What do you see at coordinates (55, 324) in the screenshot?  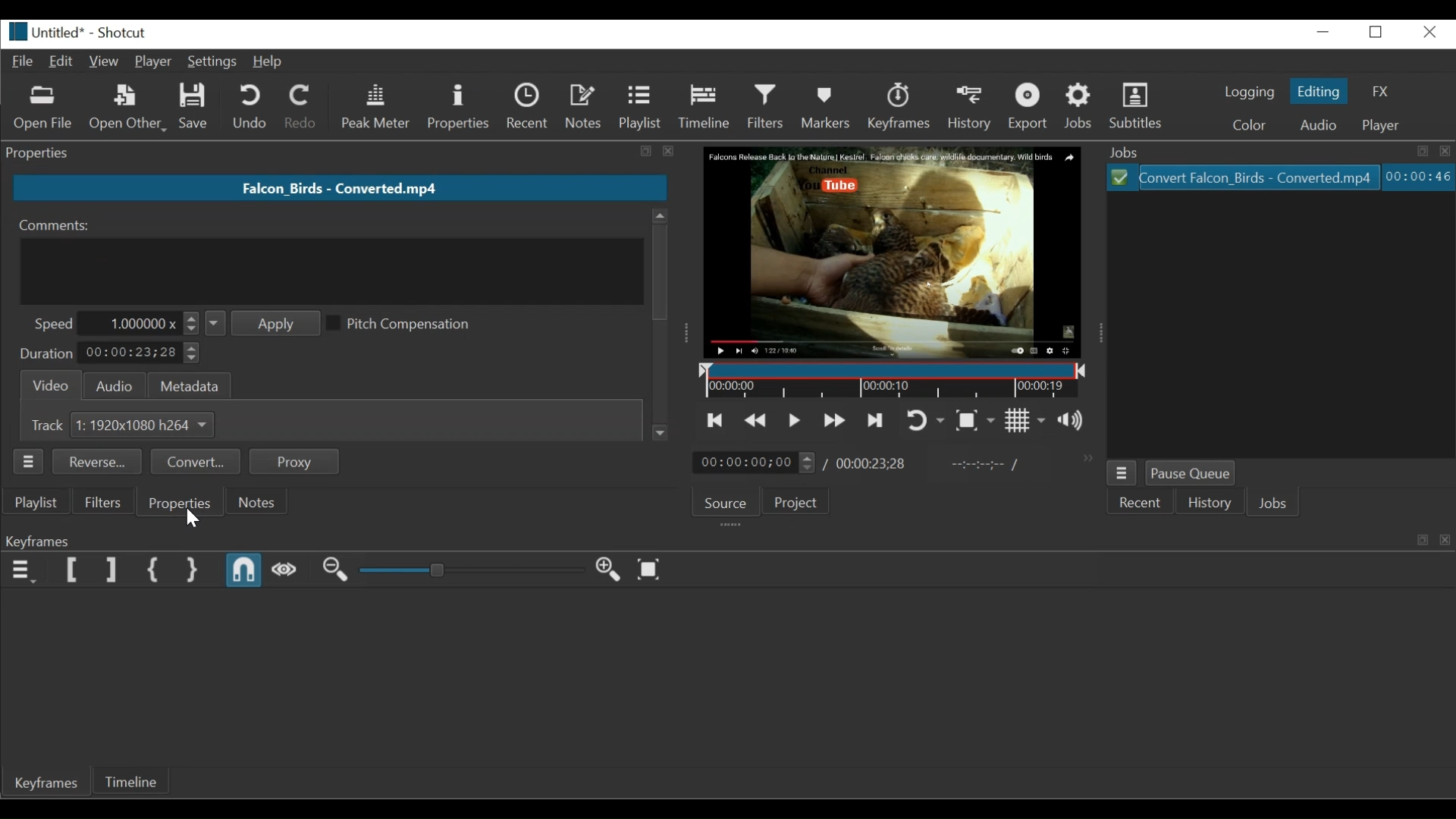 I see `Speed` at bounding box center [55, 324].